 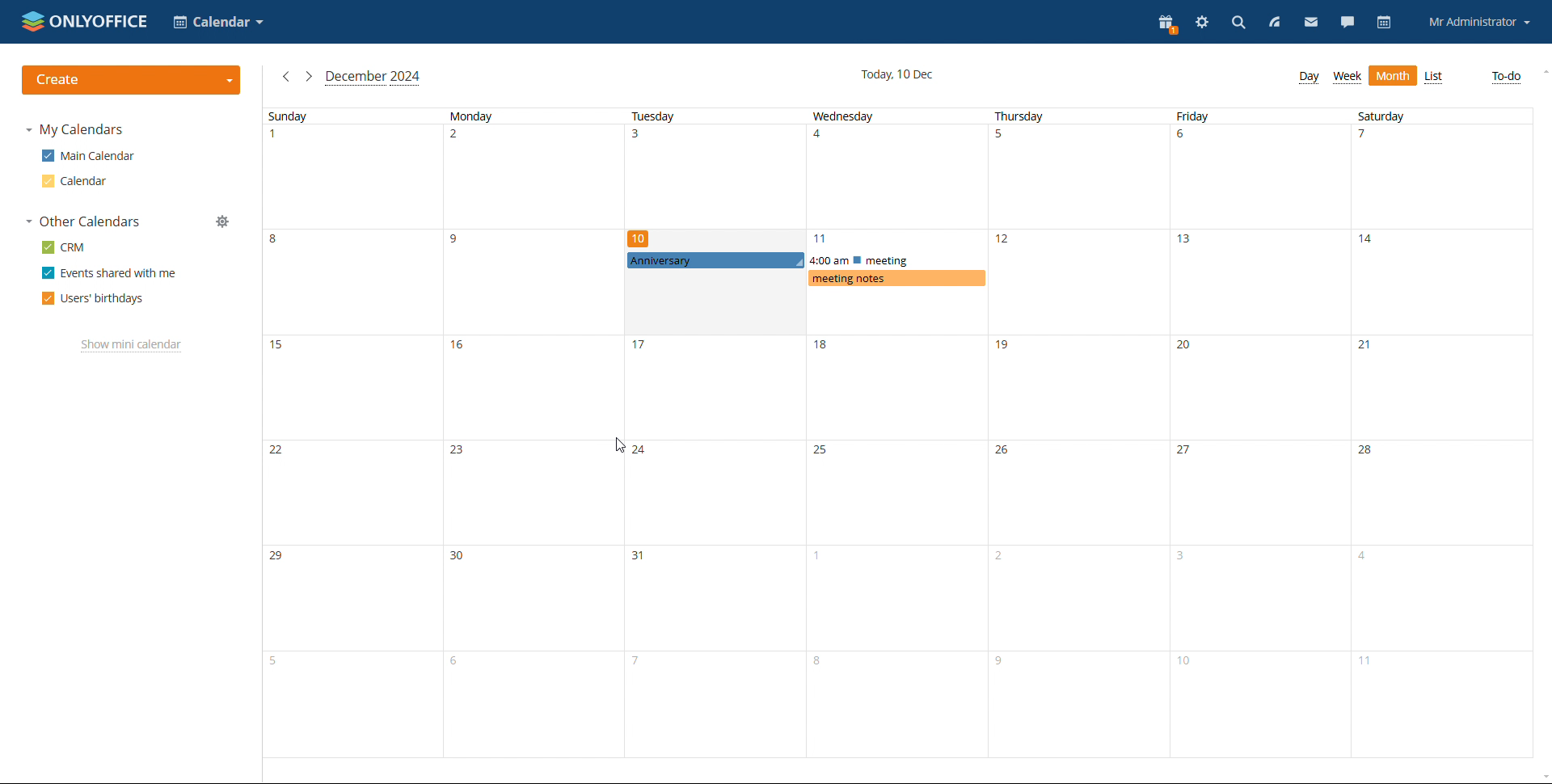 What do you see at coordinates (536, 433) in the screenshot?
I see `monday` at bounding box center [536, 433].